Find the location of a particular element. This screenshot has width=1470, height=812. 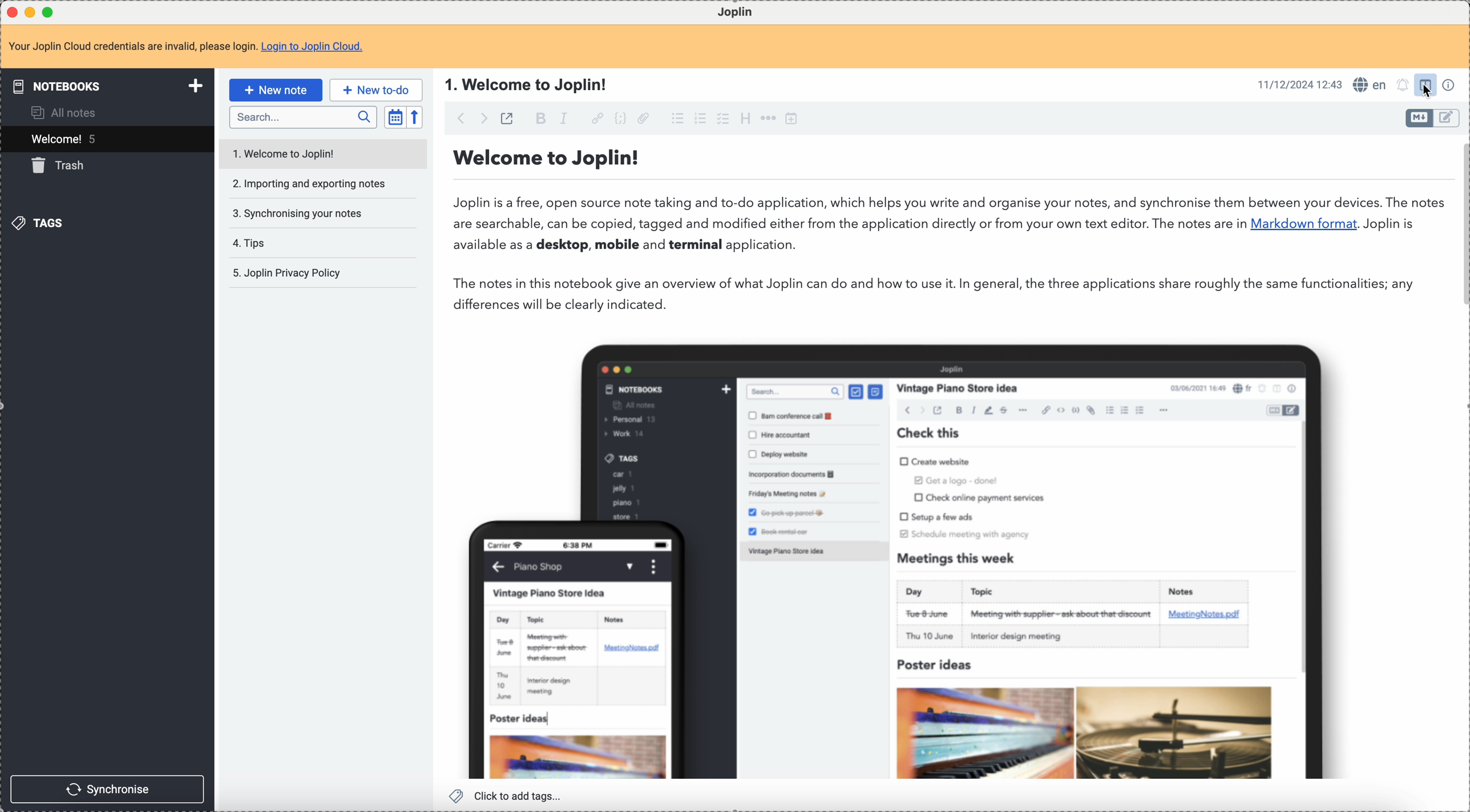

attach file is located at coordinates (644, 118).